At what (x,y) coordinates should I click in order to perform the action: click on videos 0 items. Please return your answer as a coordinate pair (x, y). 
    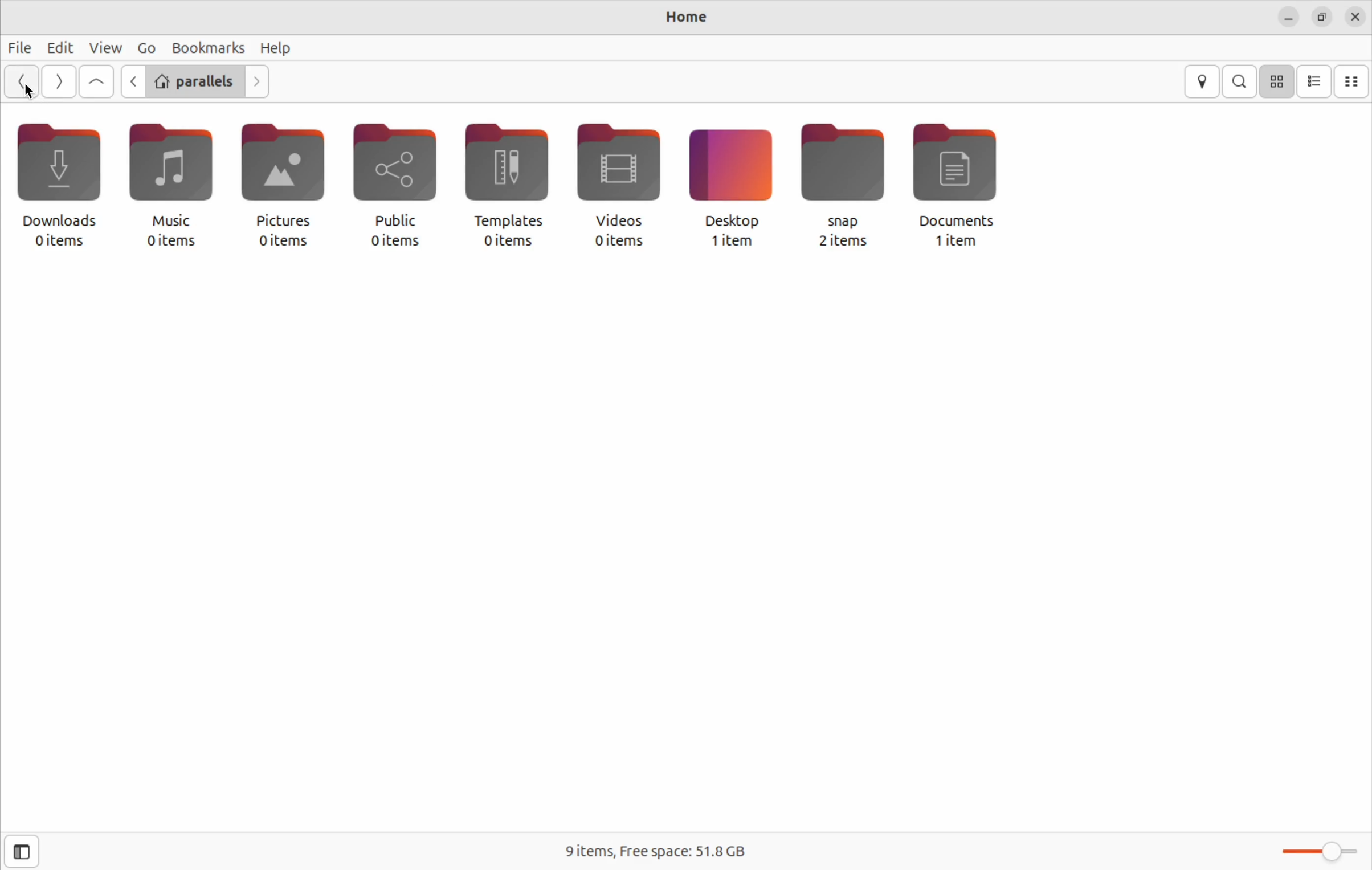
    Looking at the image, I should click on (615, 185).